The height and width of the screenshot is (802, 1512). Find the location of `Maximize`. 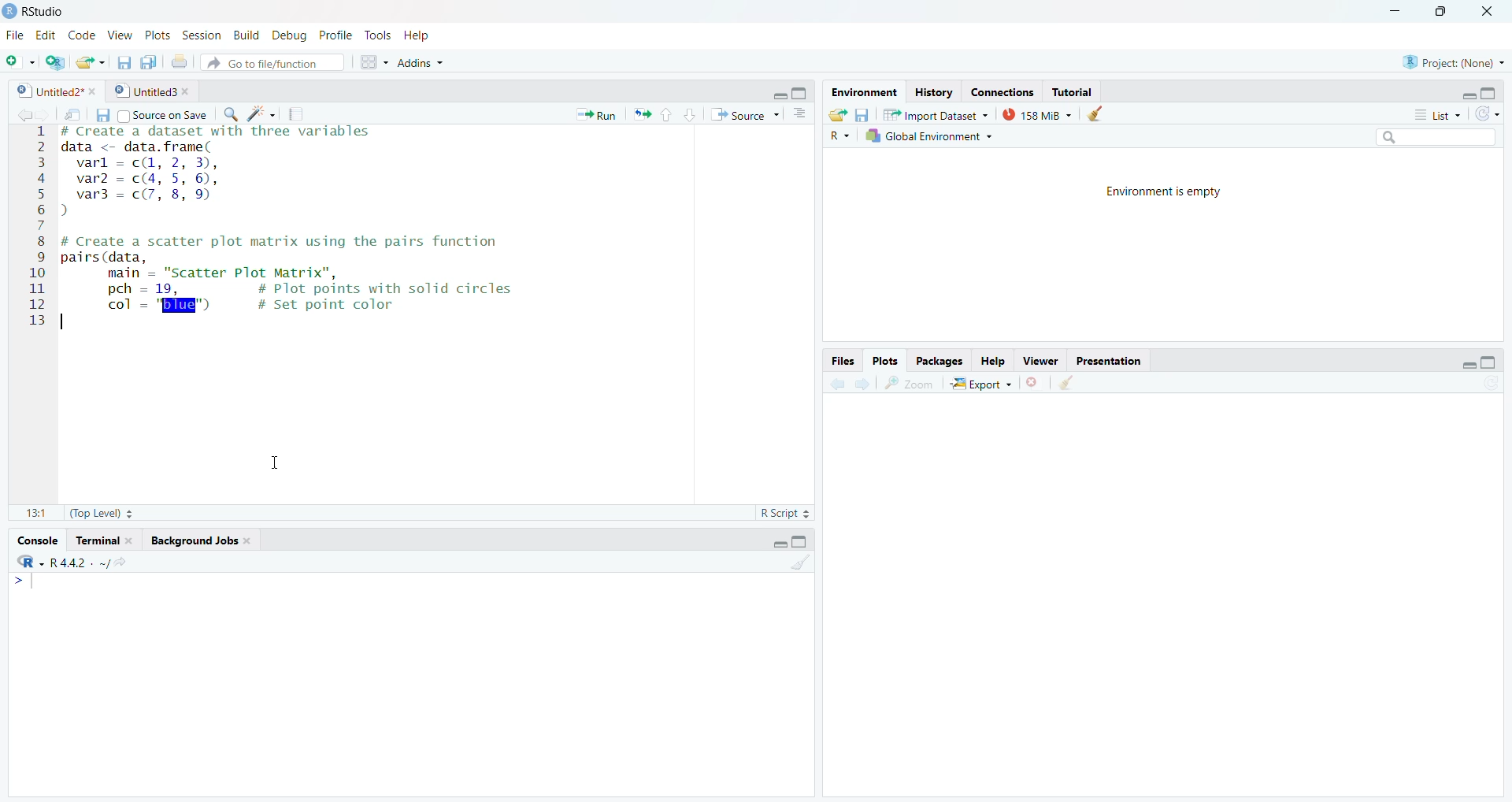

Maximize is located at coordinates (1447, 16).